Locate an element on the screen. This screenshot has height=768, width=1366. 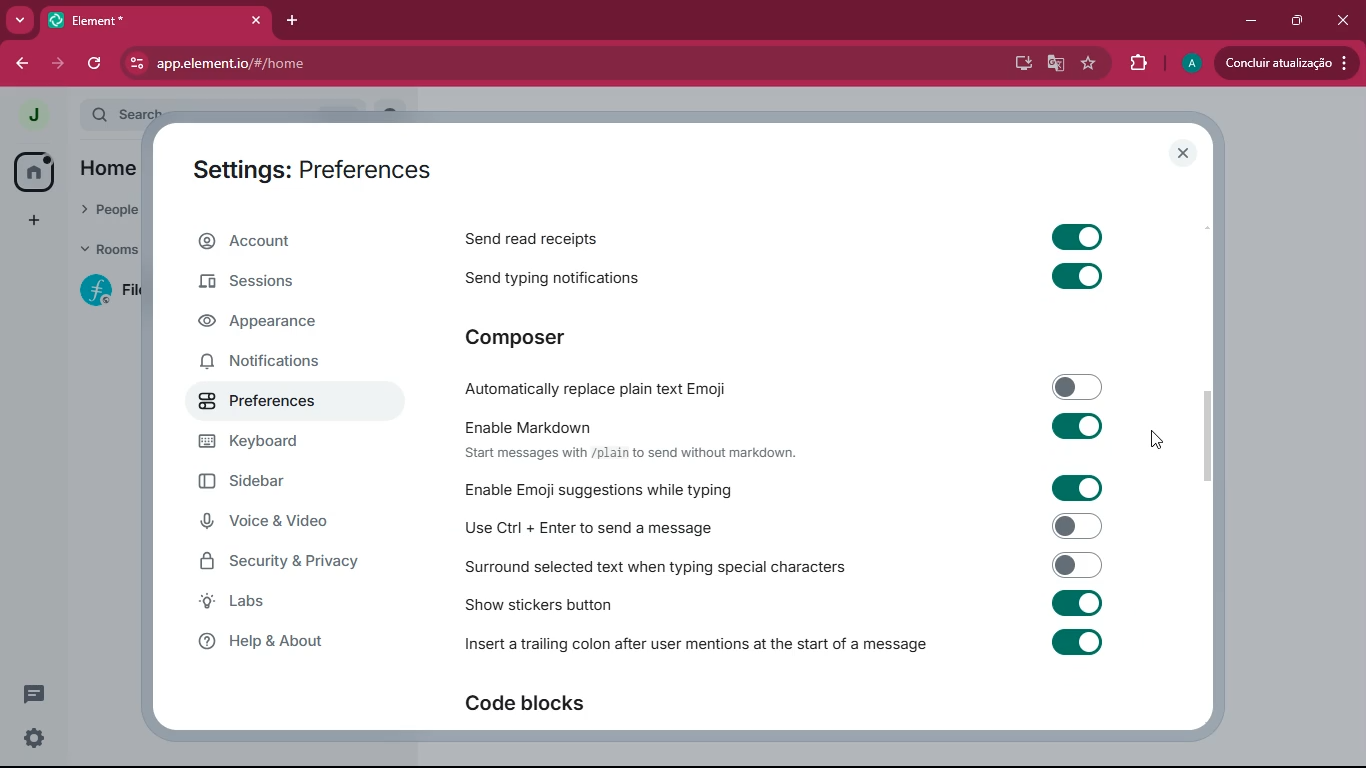
back is located at coordinates (21, 64).